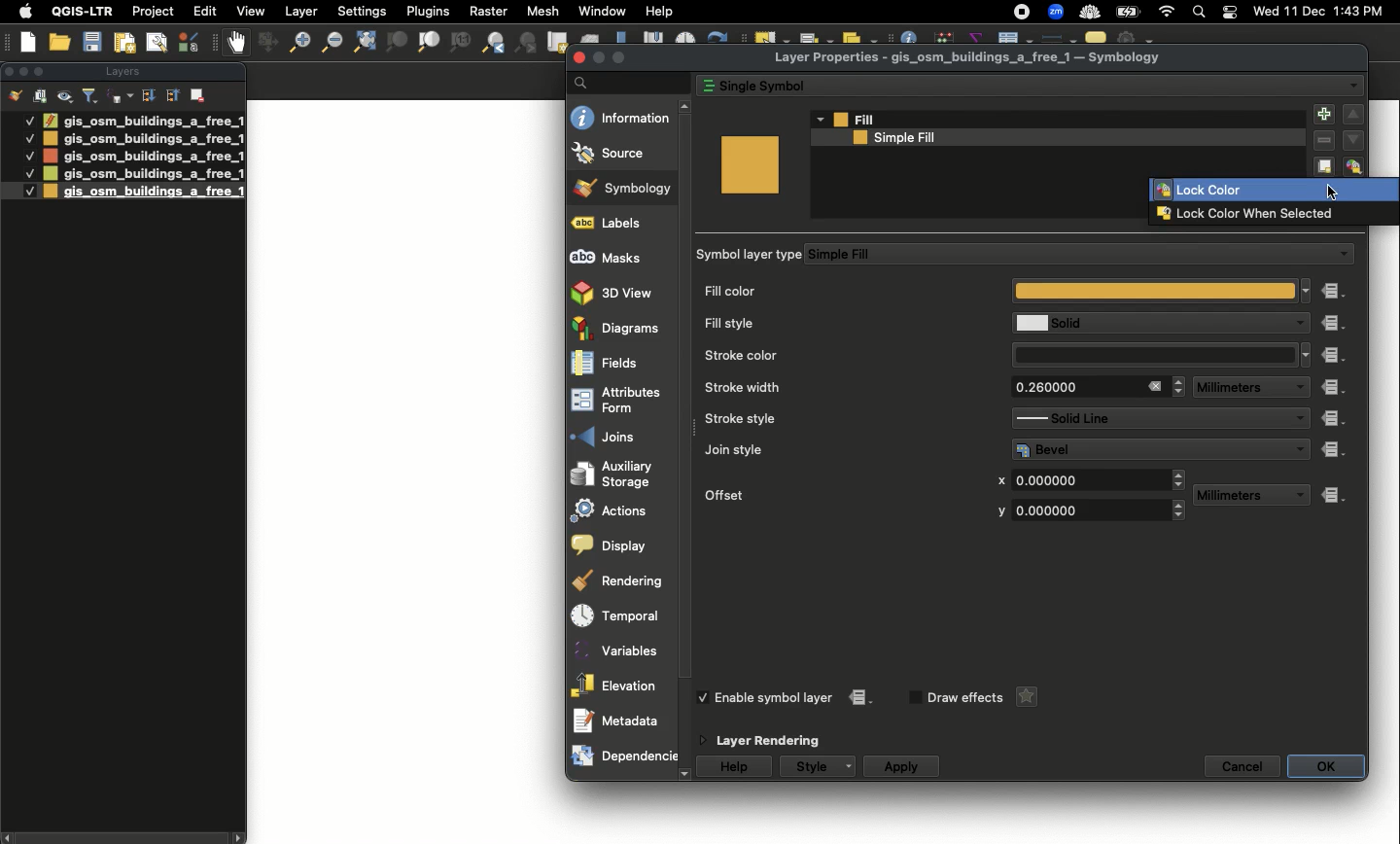  Describe the element at coordinates (1236, 496) in the screenshot. I see `Millimeters` at that location.